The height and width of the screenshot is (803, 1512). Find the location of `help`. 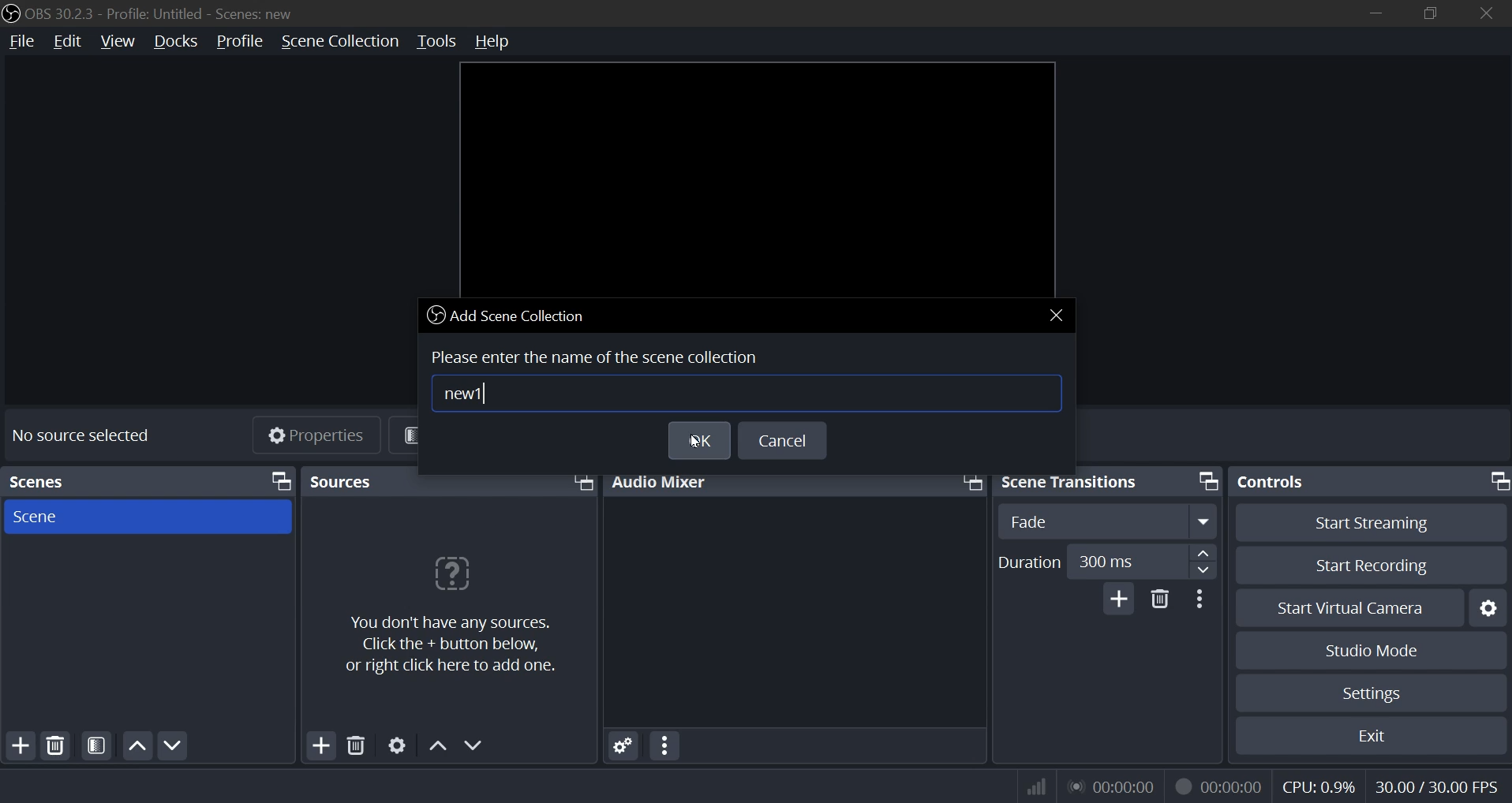

help is located at coordinates (500, 41).